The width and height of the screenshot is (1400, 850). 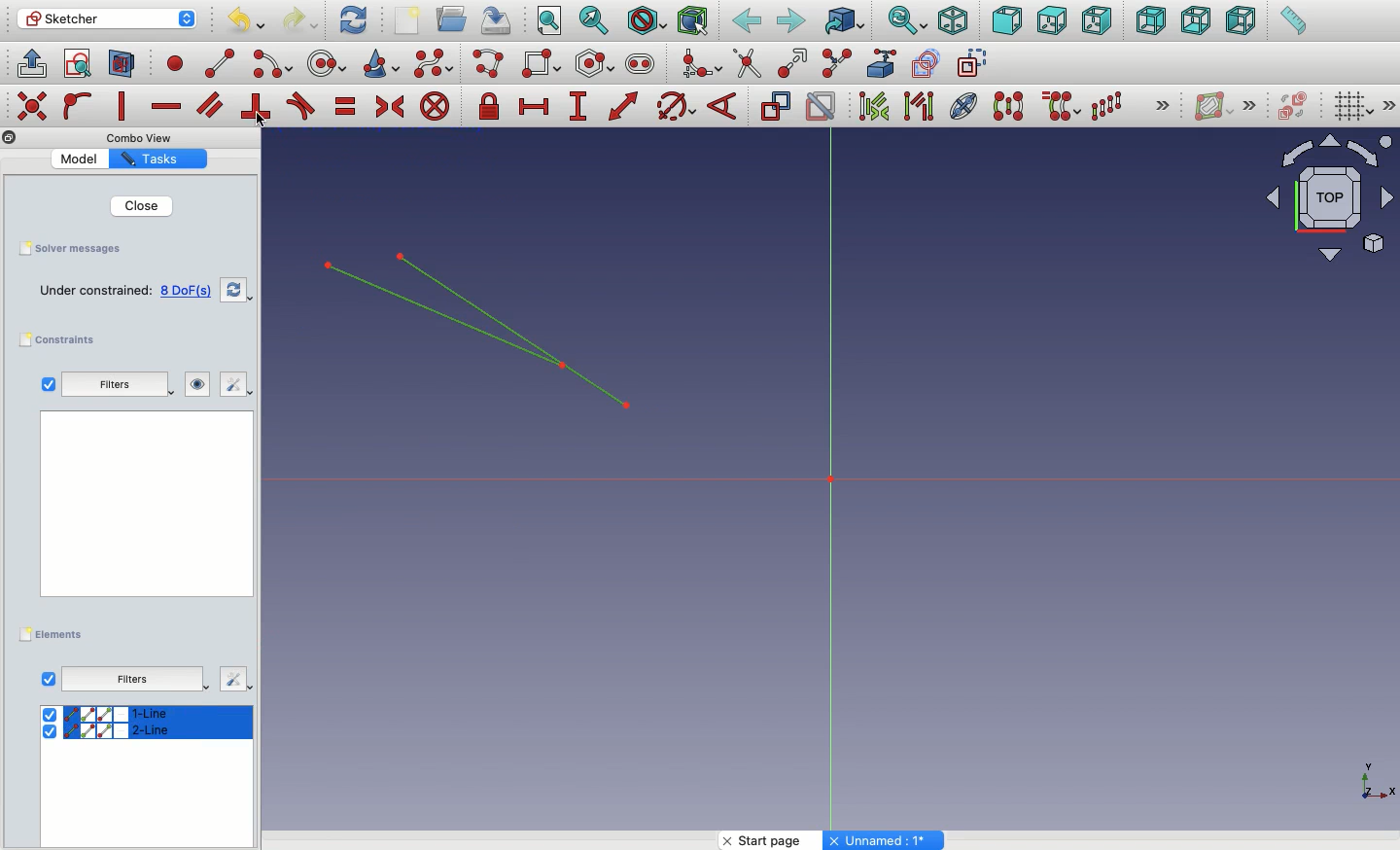 What do you see at coordinates (700, 64) in the screenshot?
I see `Create fillet` at bounding box center [700, 64].